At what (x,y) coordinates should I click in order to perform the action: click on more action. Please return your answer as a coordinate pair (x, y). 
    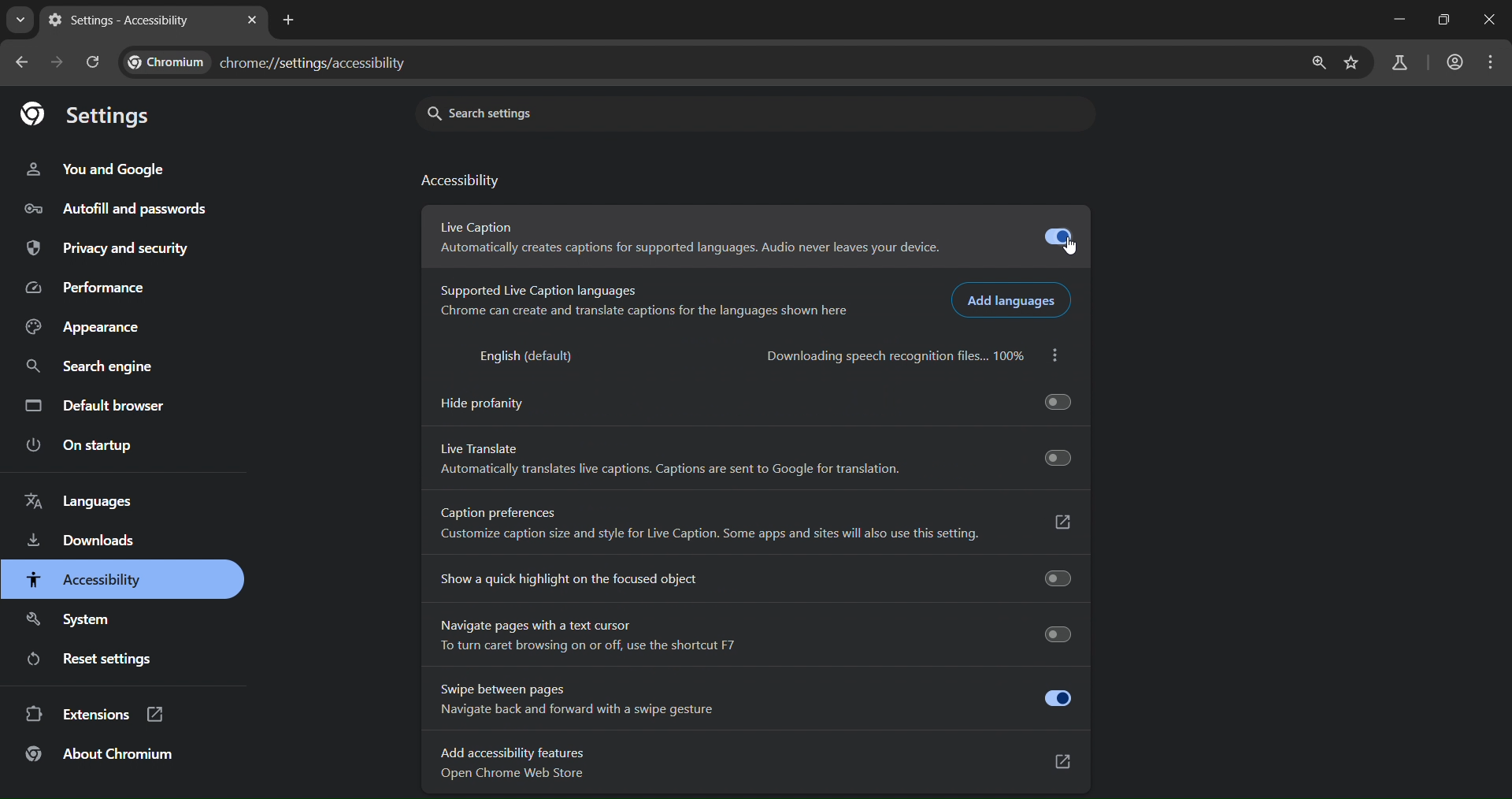
    Looking at the image, I should click on (1057, 355).